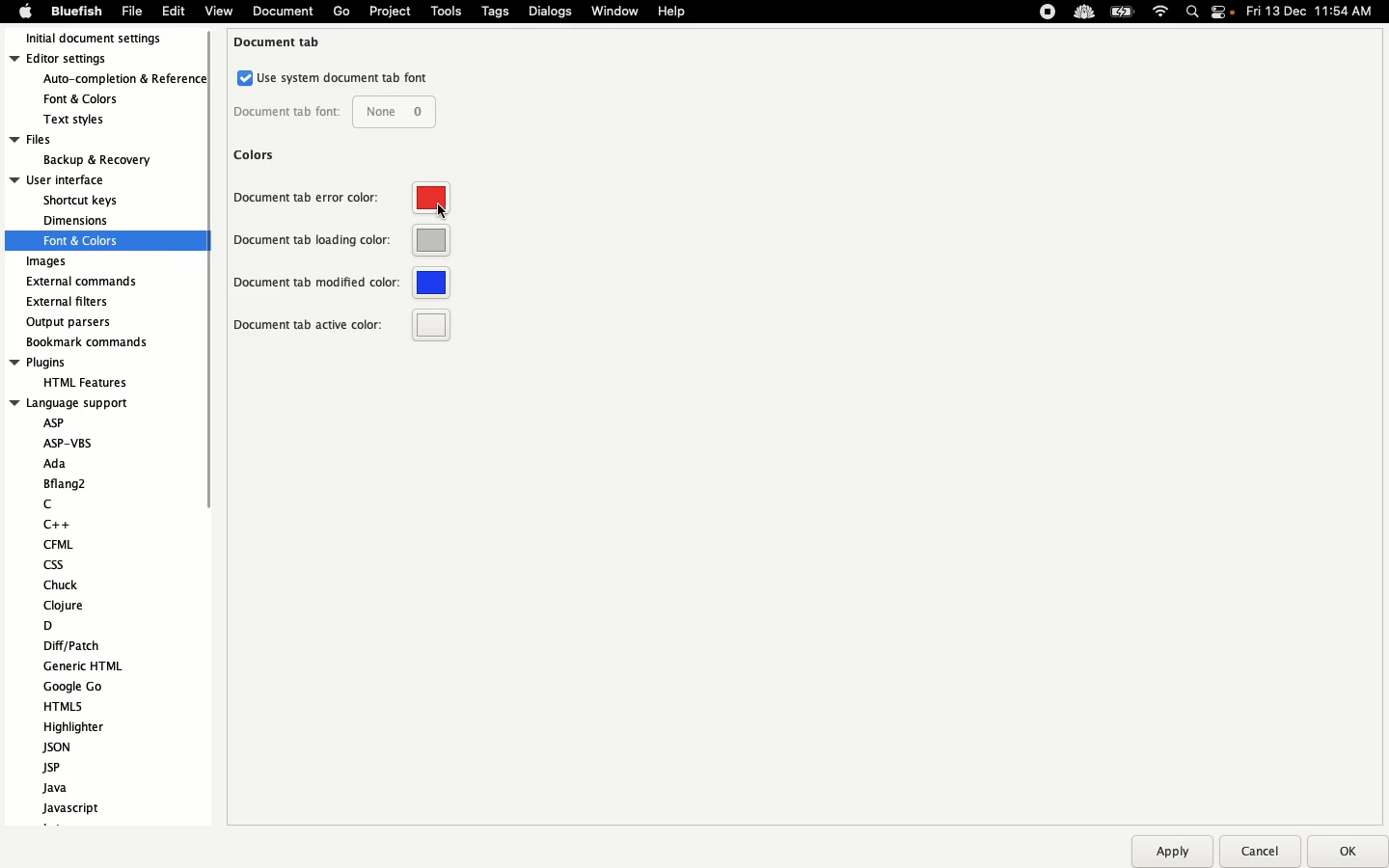 The width and height of the screenshot is (1389, 868). What do you see at coordinates (1259, 851) in the screenshot?
I see `Cancel` at bounding box center [1259, 851].